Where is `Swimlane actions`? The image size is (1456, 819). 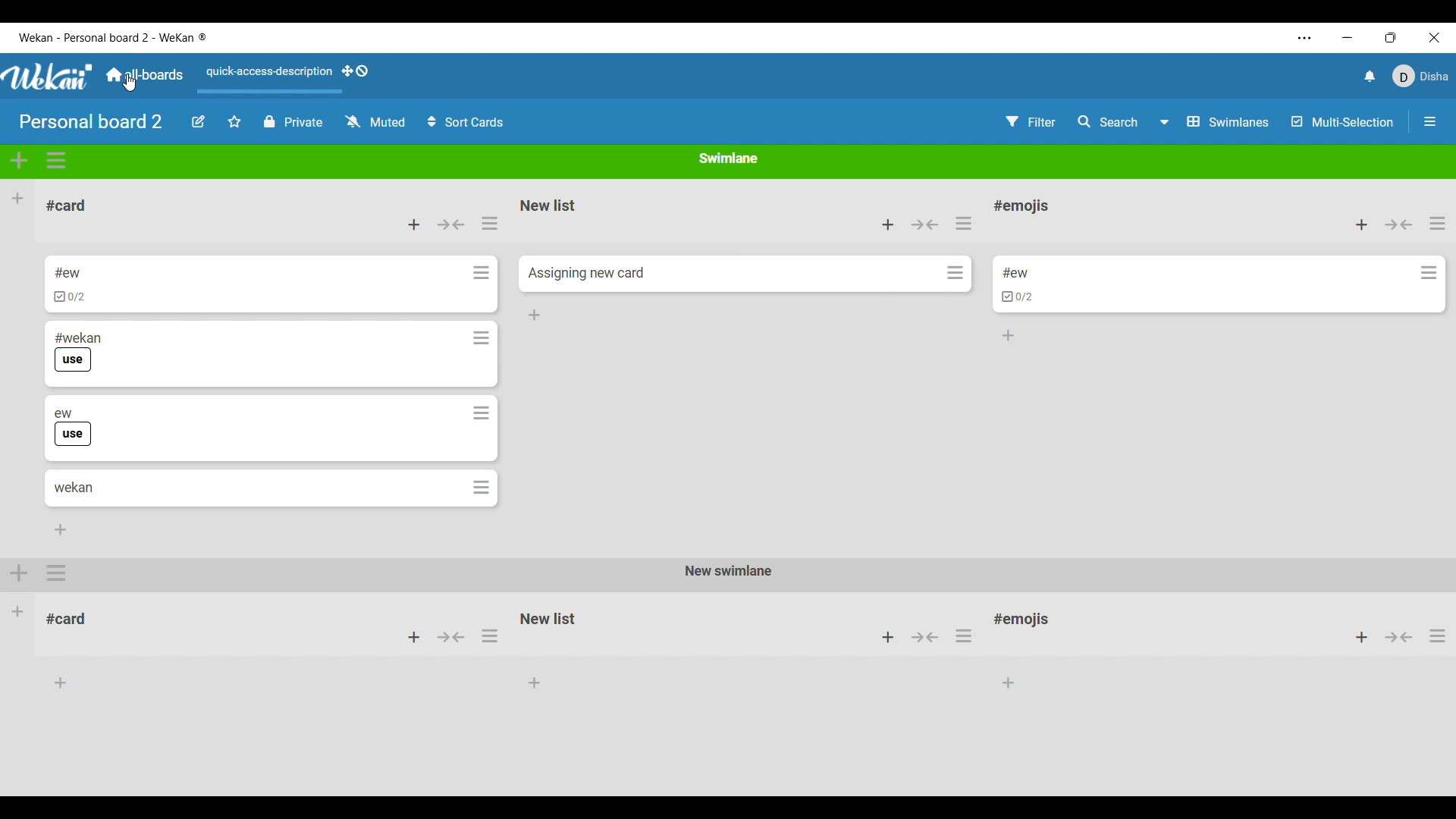 Swimlane actions is located at coordinates (56, 161).